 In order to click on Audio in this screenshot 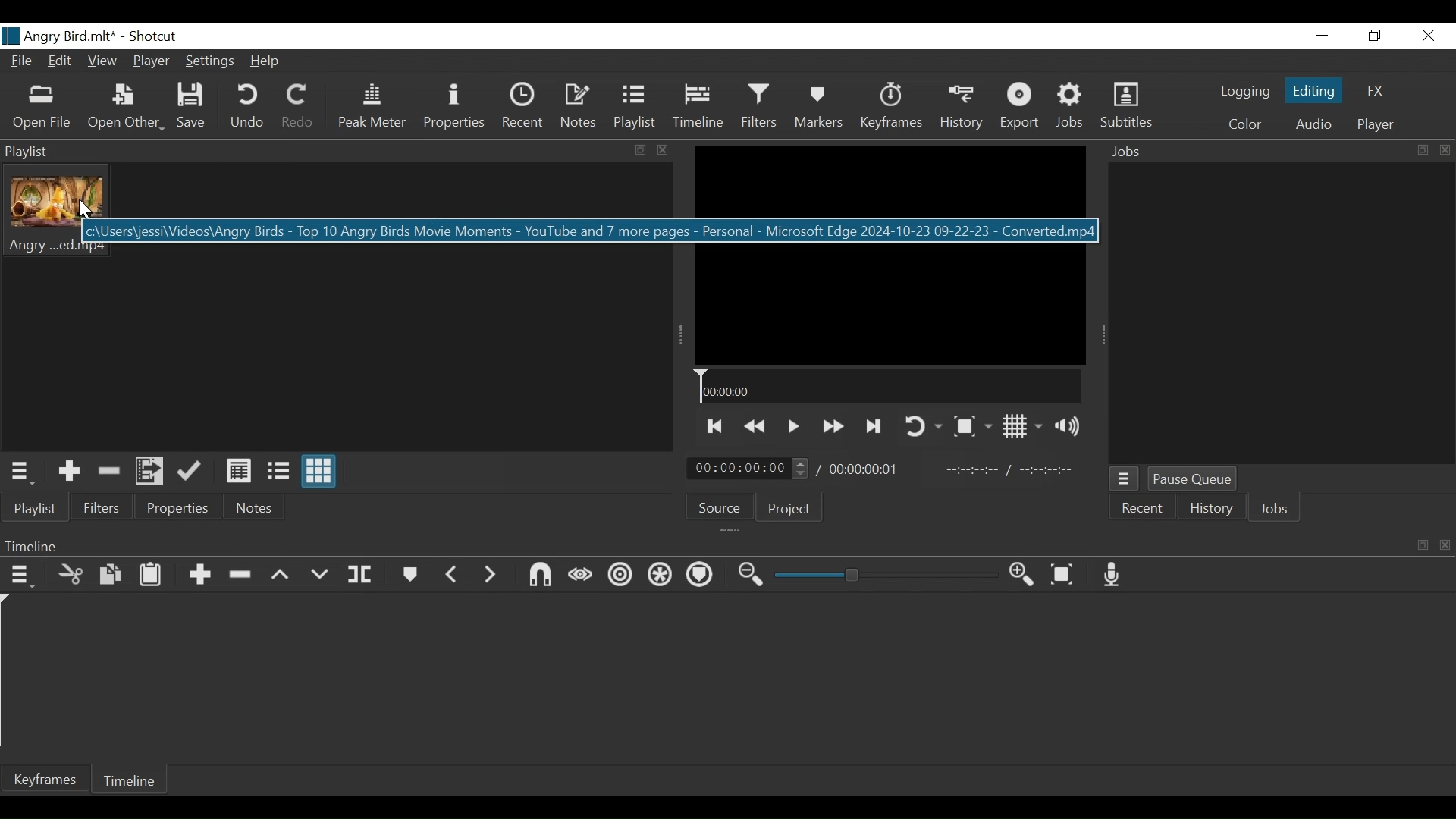, I will do `click(1312, 124)`.